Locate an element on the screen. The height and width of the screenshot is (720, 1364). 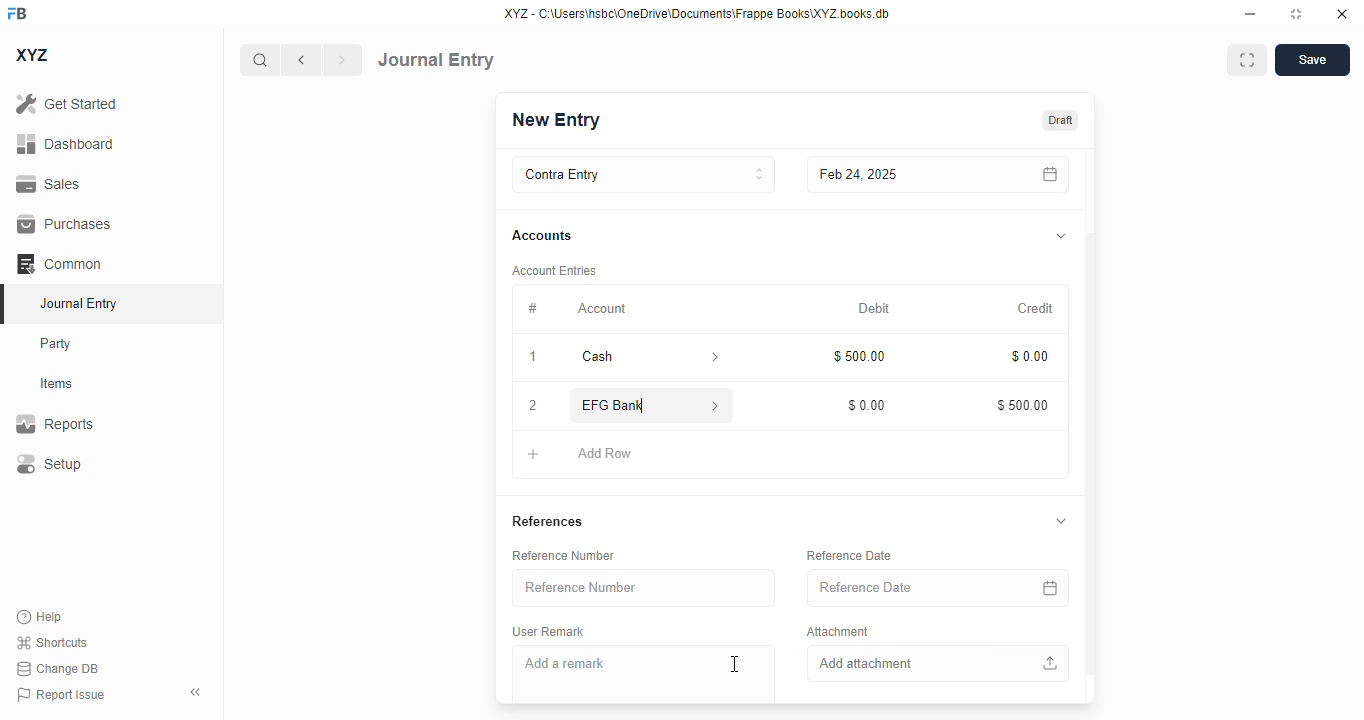
add a remark is located at coordinates (645, 674).